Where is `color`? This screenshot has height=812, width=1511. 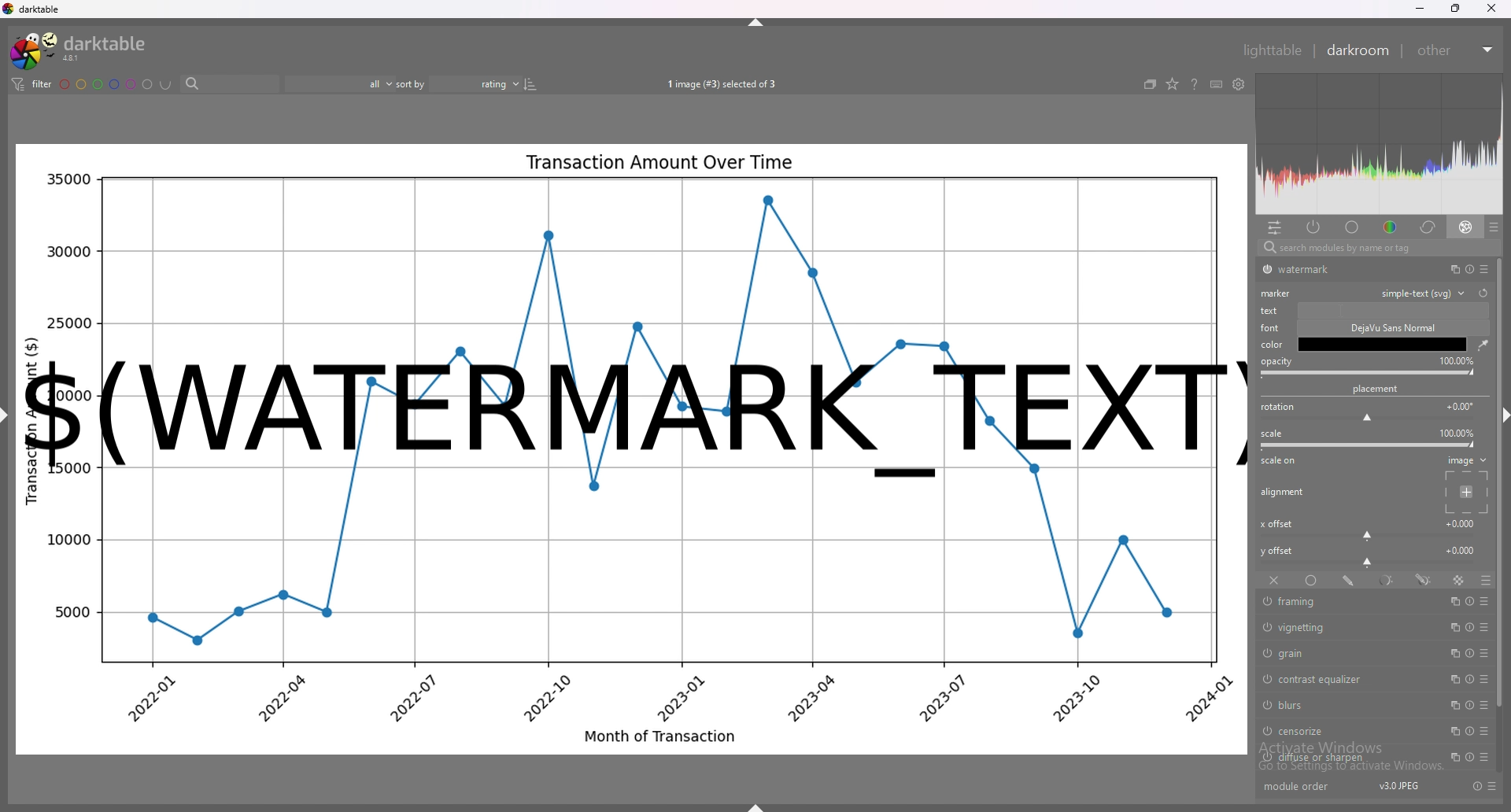 color is located at coordinates (1387, 227).